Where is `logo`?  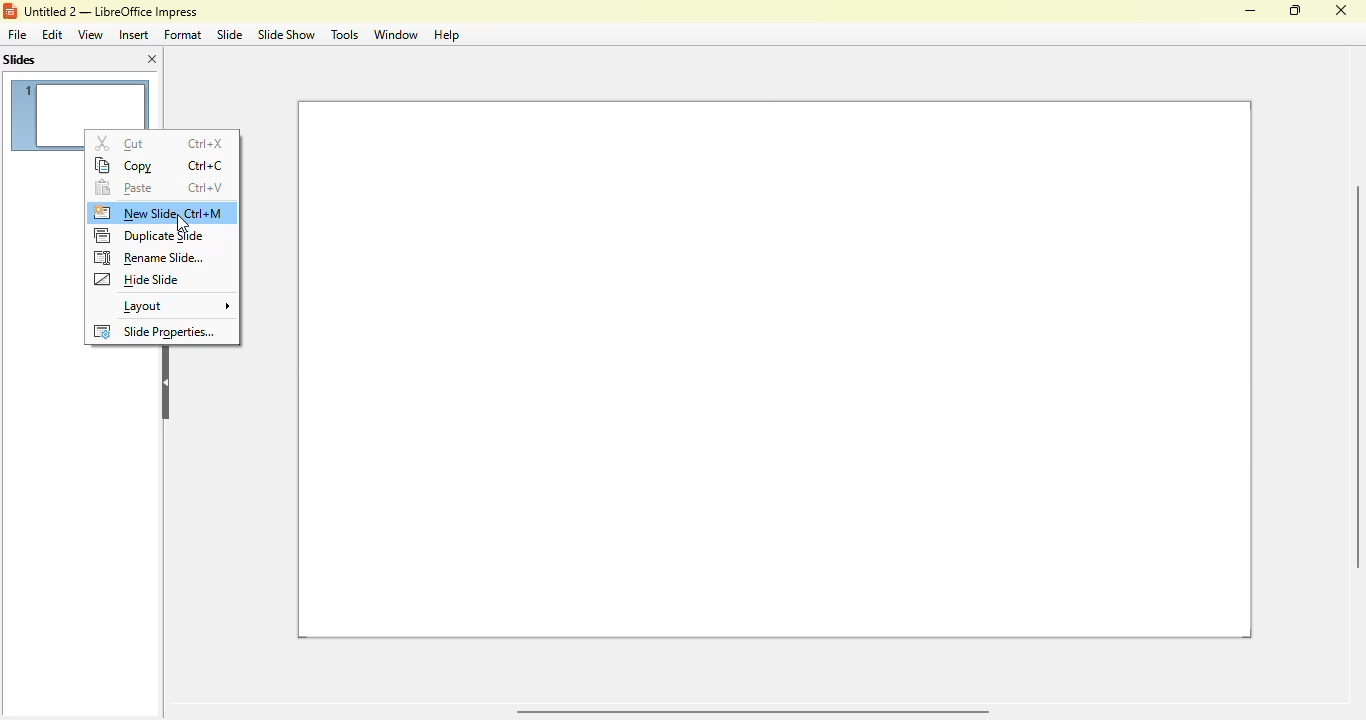 logo is located at coordinates (10, 11).